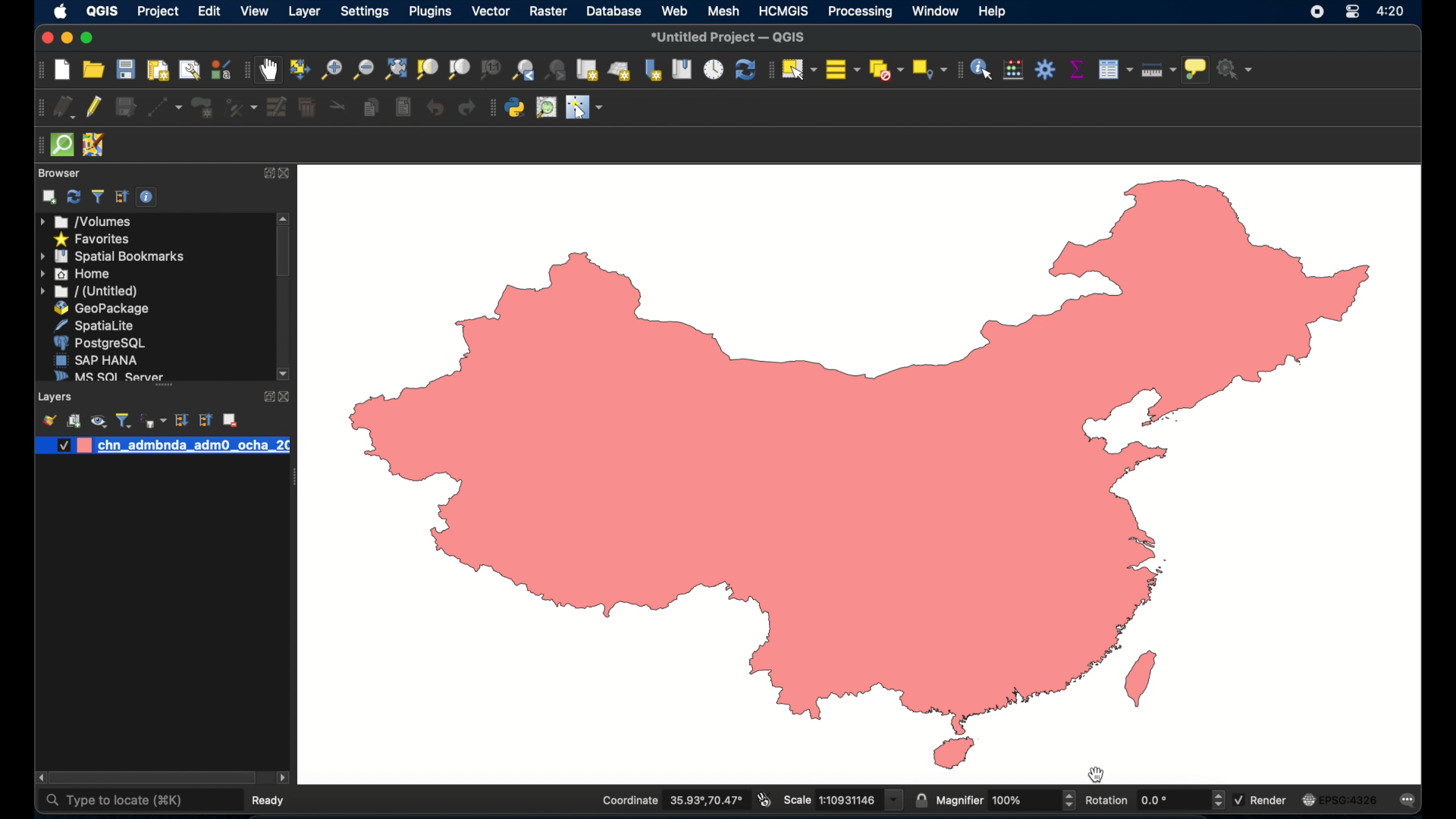 This screenshot has height=819, width=1456. Describe the element at coordinates (1221, 800) in the screenshot. I see `increase or decrease rotation value` at that location.